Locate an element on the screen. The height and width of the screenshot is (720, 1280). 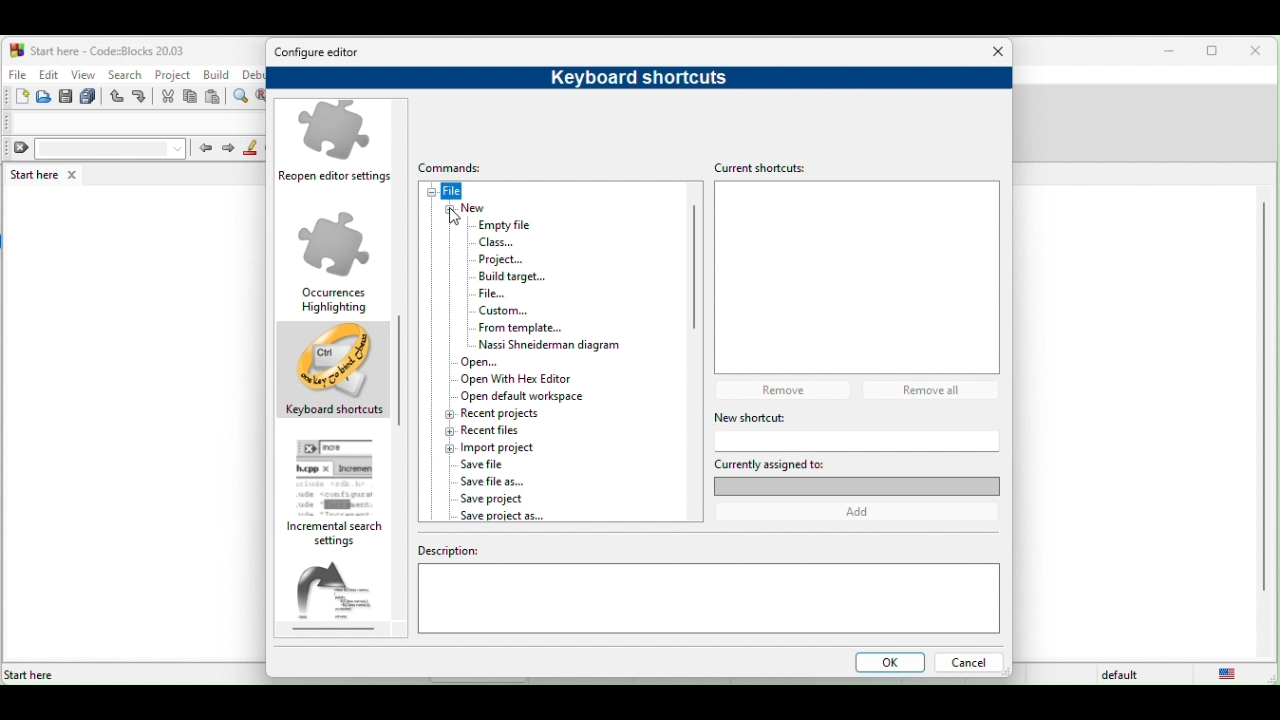
save everything is located at coordinates (90, 97).